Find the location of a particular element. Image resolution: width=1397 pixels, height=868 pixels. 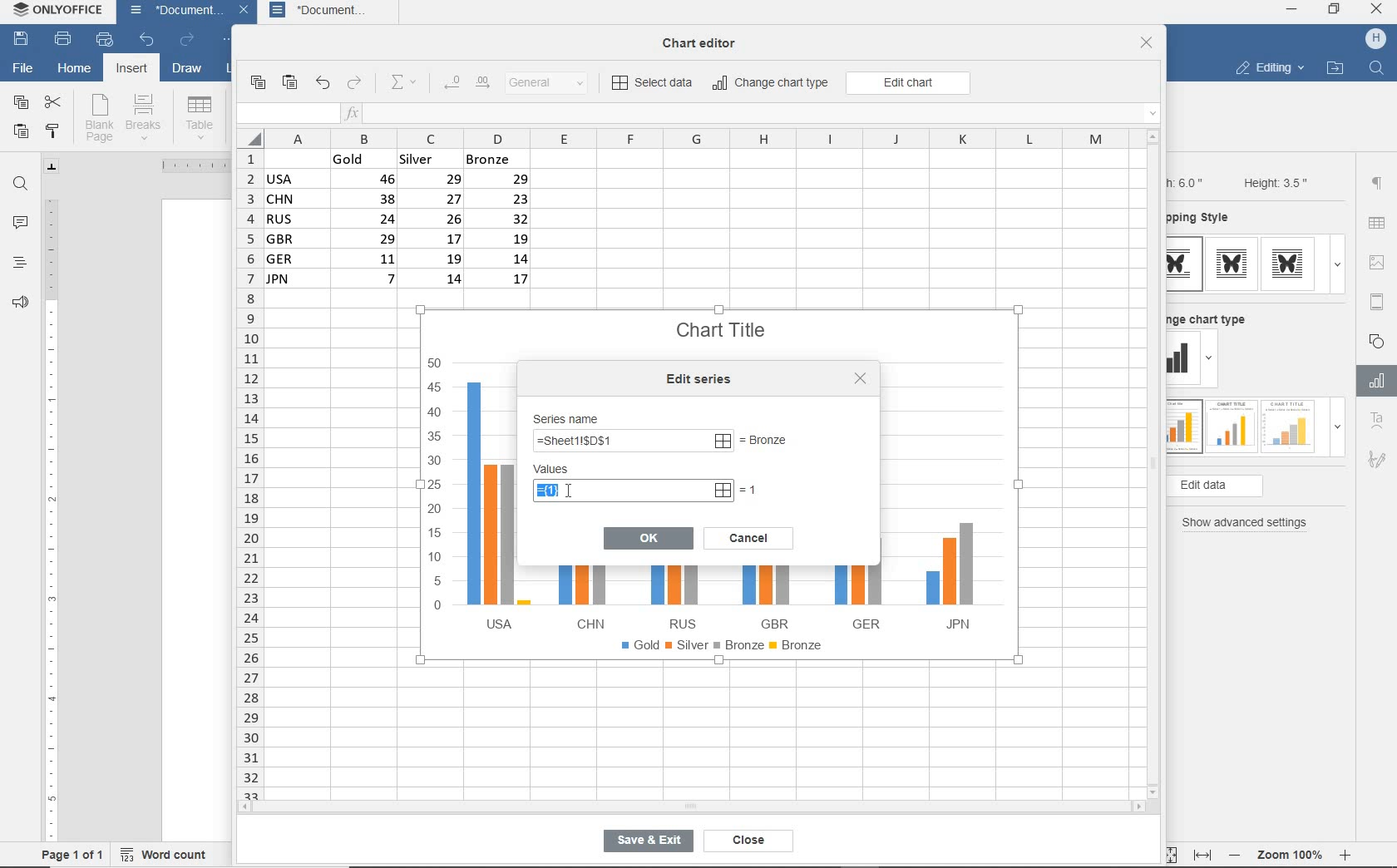

fit to width is located at coordinates (1202, 855).